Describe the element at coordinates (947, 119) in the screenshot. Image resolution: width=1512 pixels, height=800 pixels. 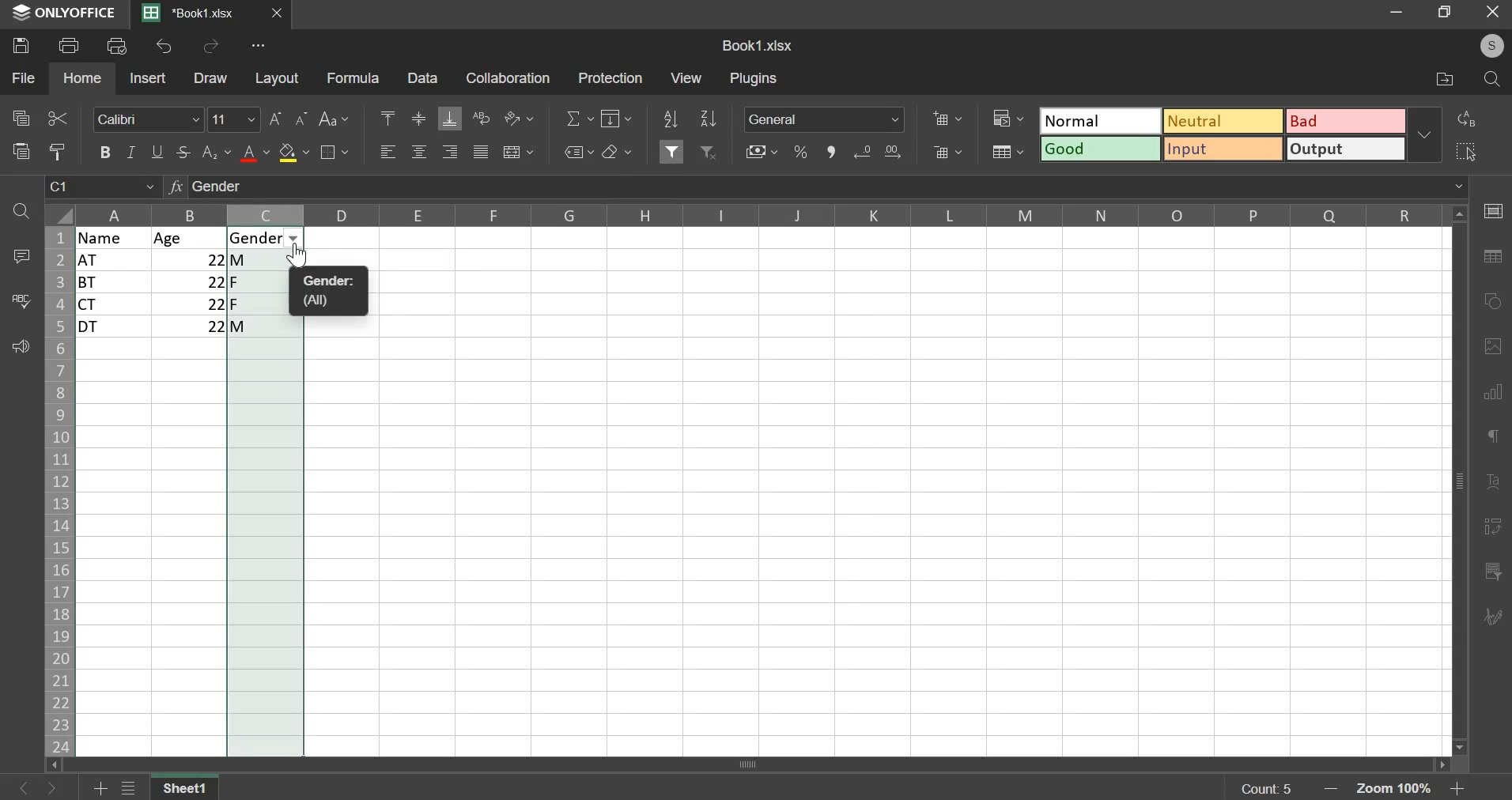
I see `insert cells` at that location.